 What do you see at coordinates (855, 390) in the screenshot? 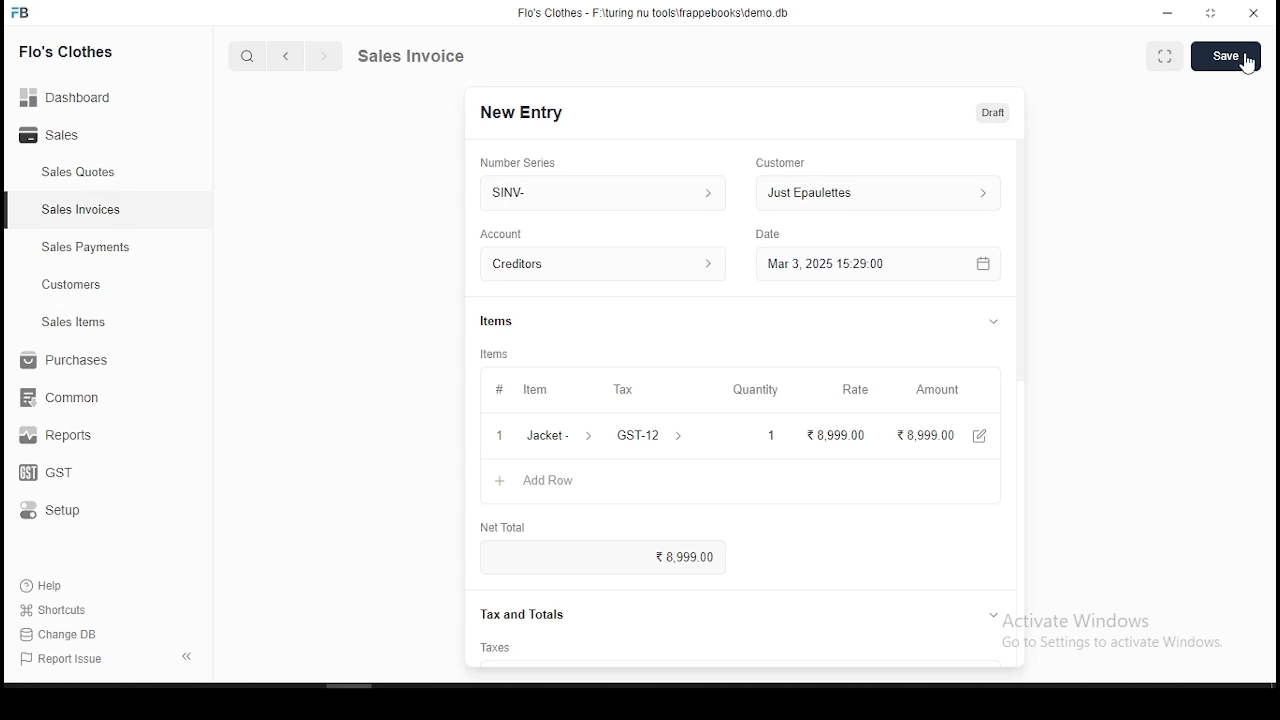
I see `rate` at bounding box center [855, 390].